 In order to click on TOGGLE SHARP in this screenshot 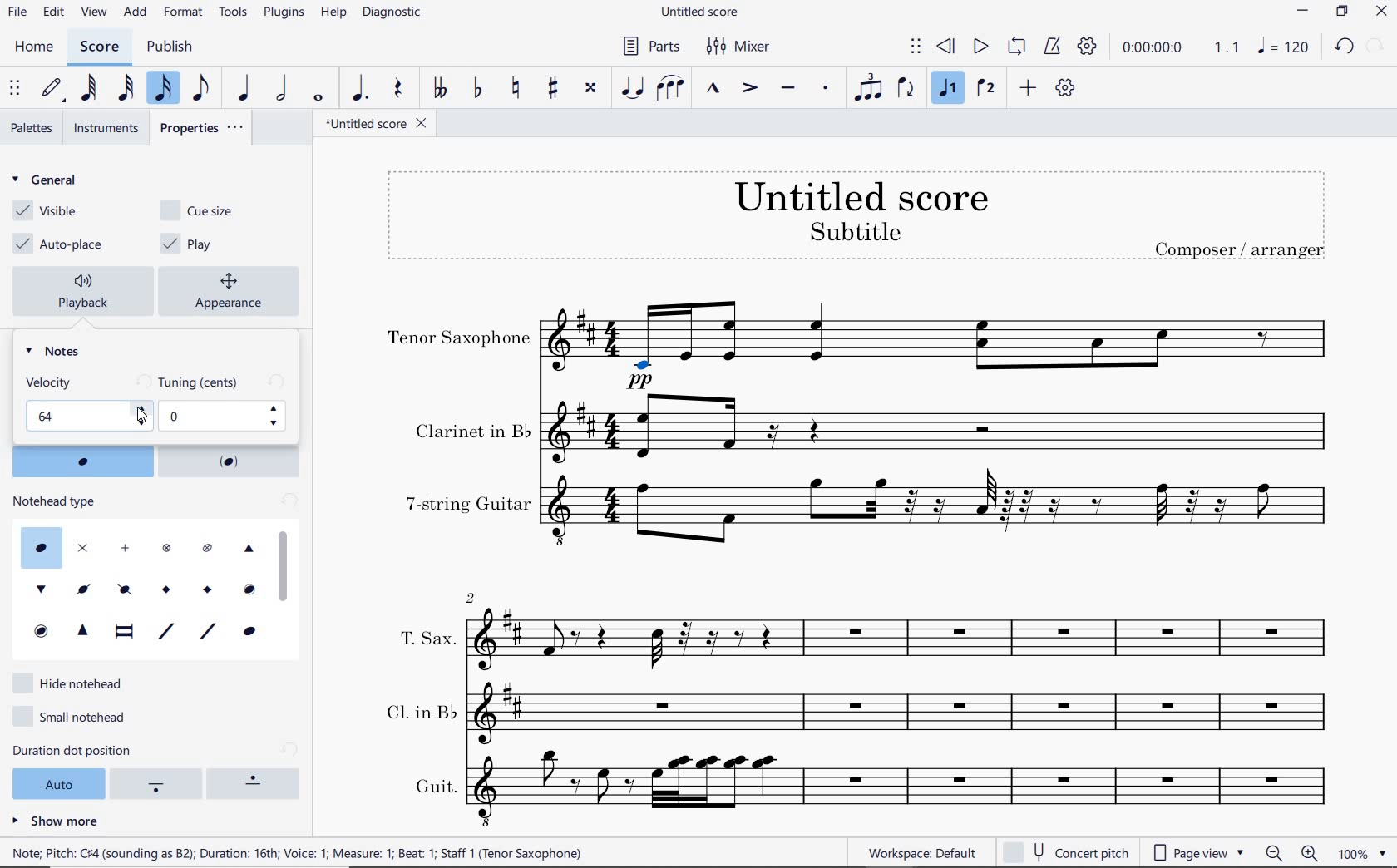, I will do `click(551, 88)`.